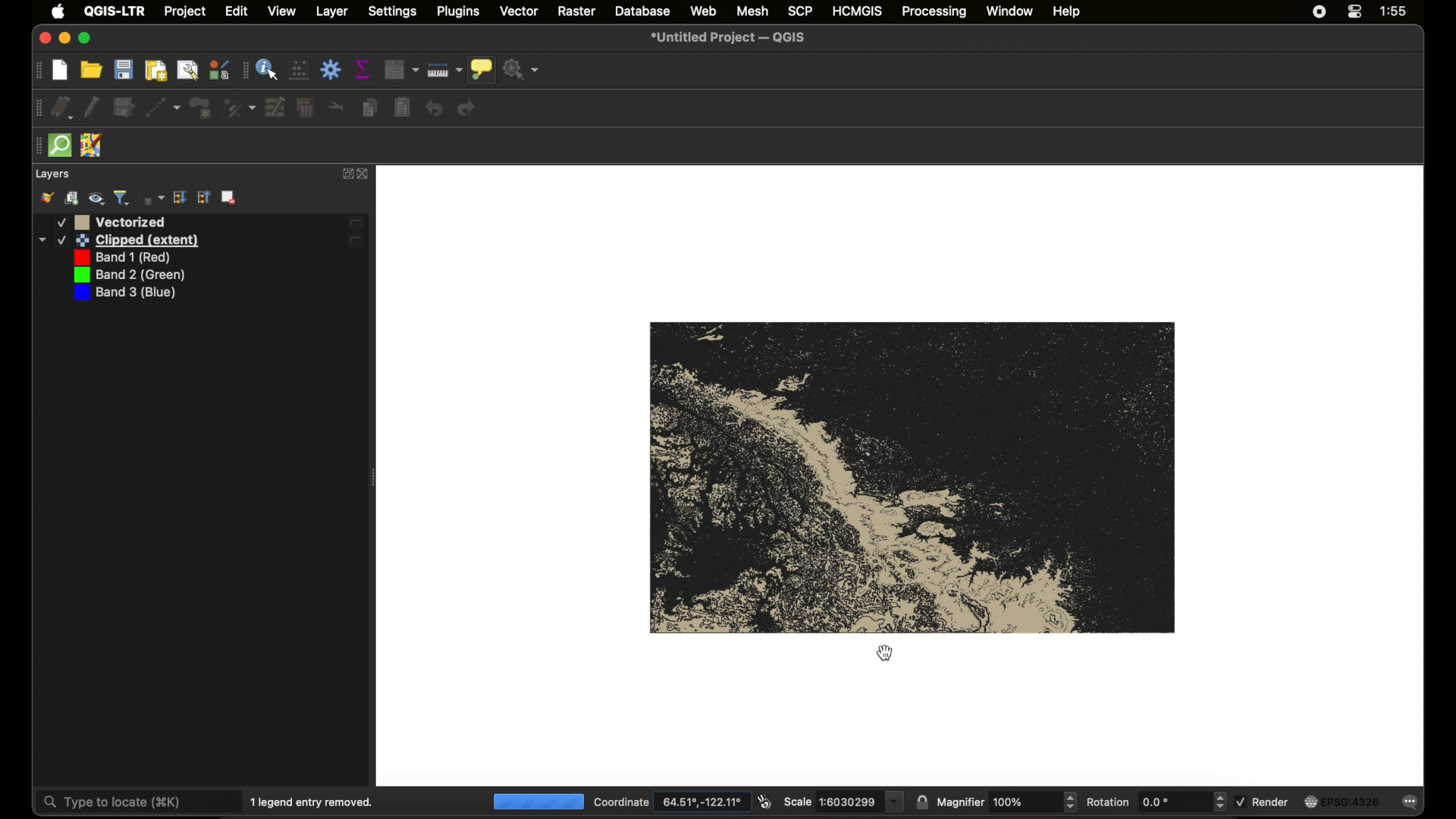  What do you see at coordinates (843, 802) in the screenshot?
I see `scale` at bounding box center [843, 802].